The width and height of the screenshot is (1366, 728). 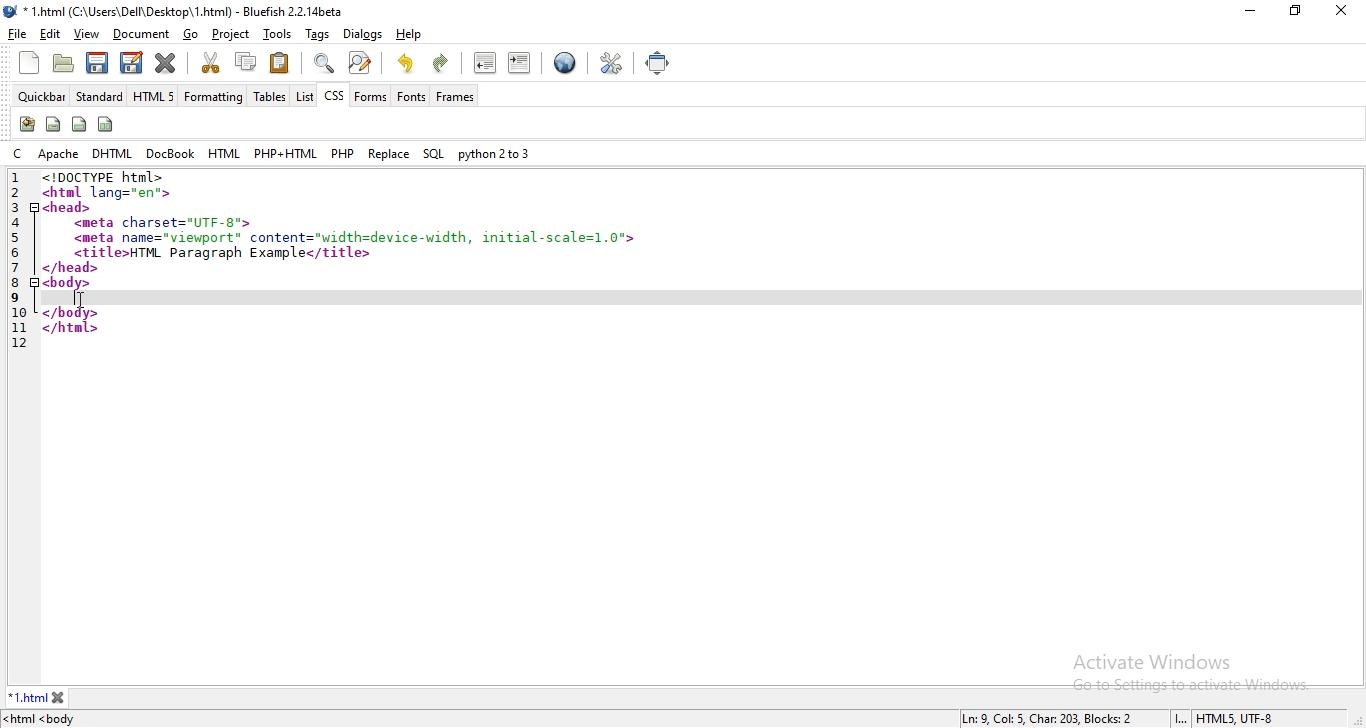 What do you see at coordinates (59, 697) in the screenshot?
I see `close` at bounding box center [59, 697].